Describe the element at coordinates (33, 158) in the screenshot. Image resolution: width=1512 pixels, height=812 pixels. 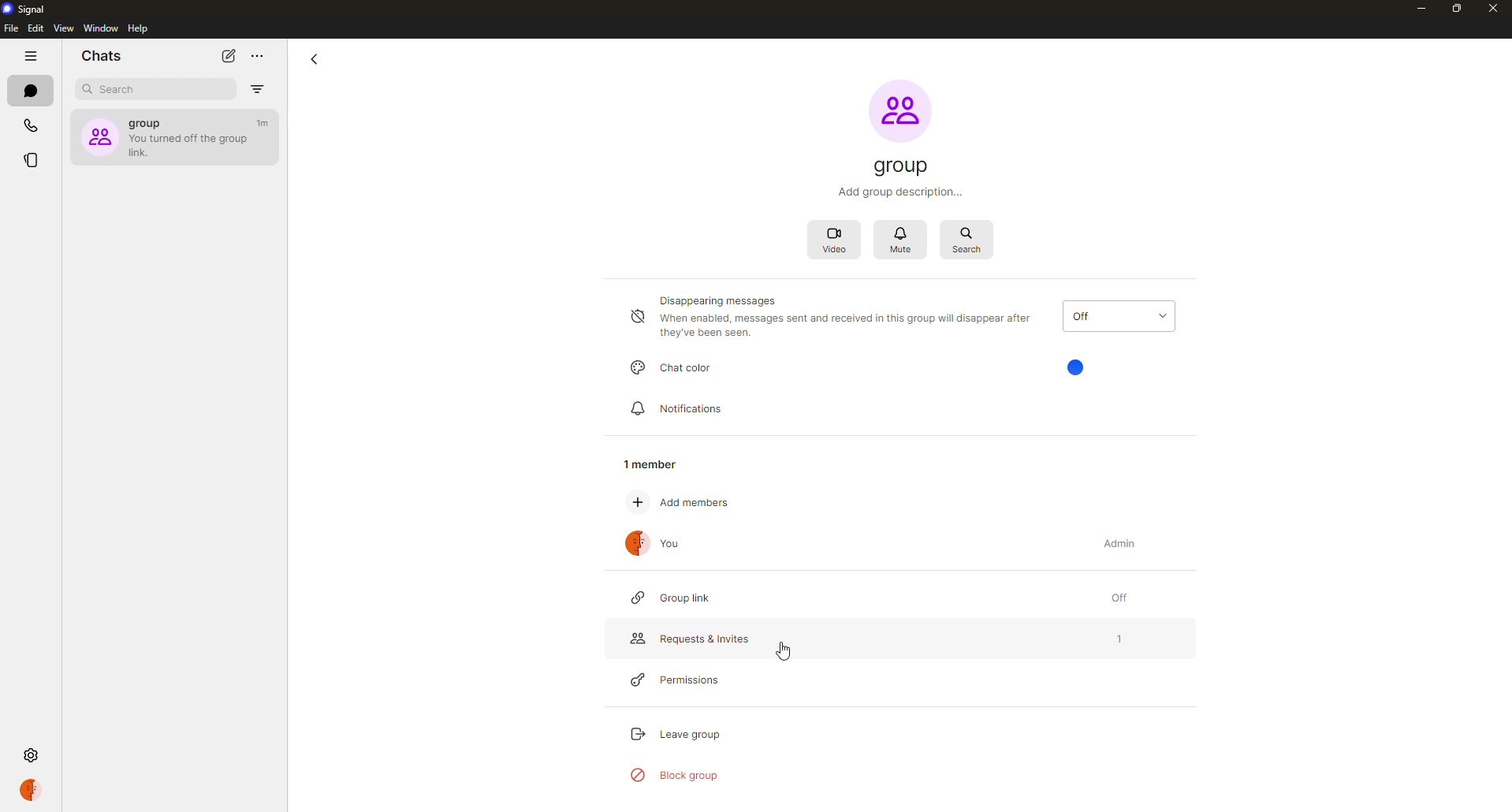
I see `stories` at that location.